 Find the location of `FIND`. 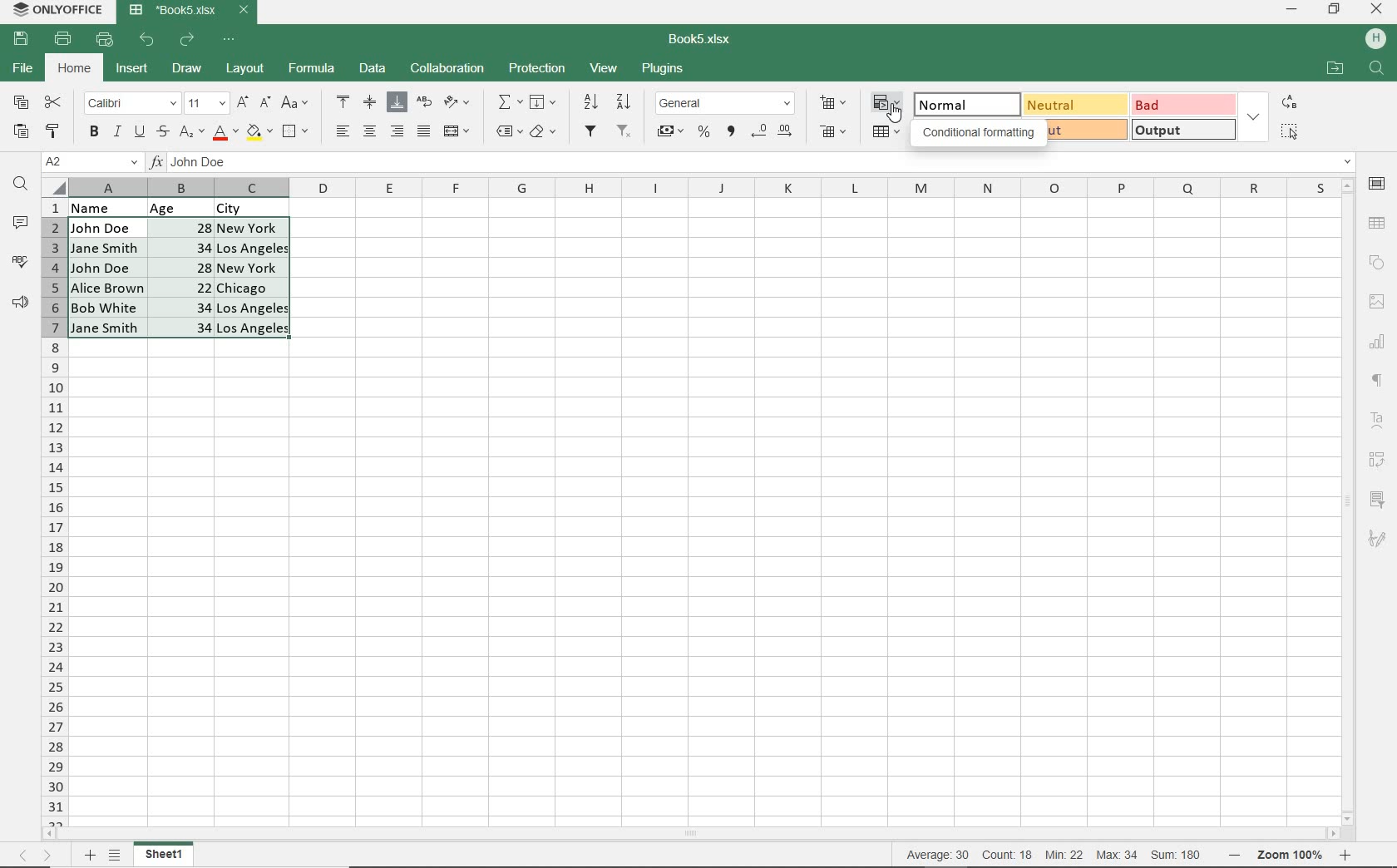

FIND is located at coordinates (21, 185).